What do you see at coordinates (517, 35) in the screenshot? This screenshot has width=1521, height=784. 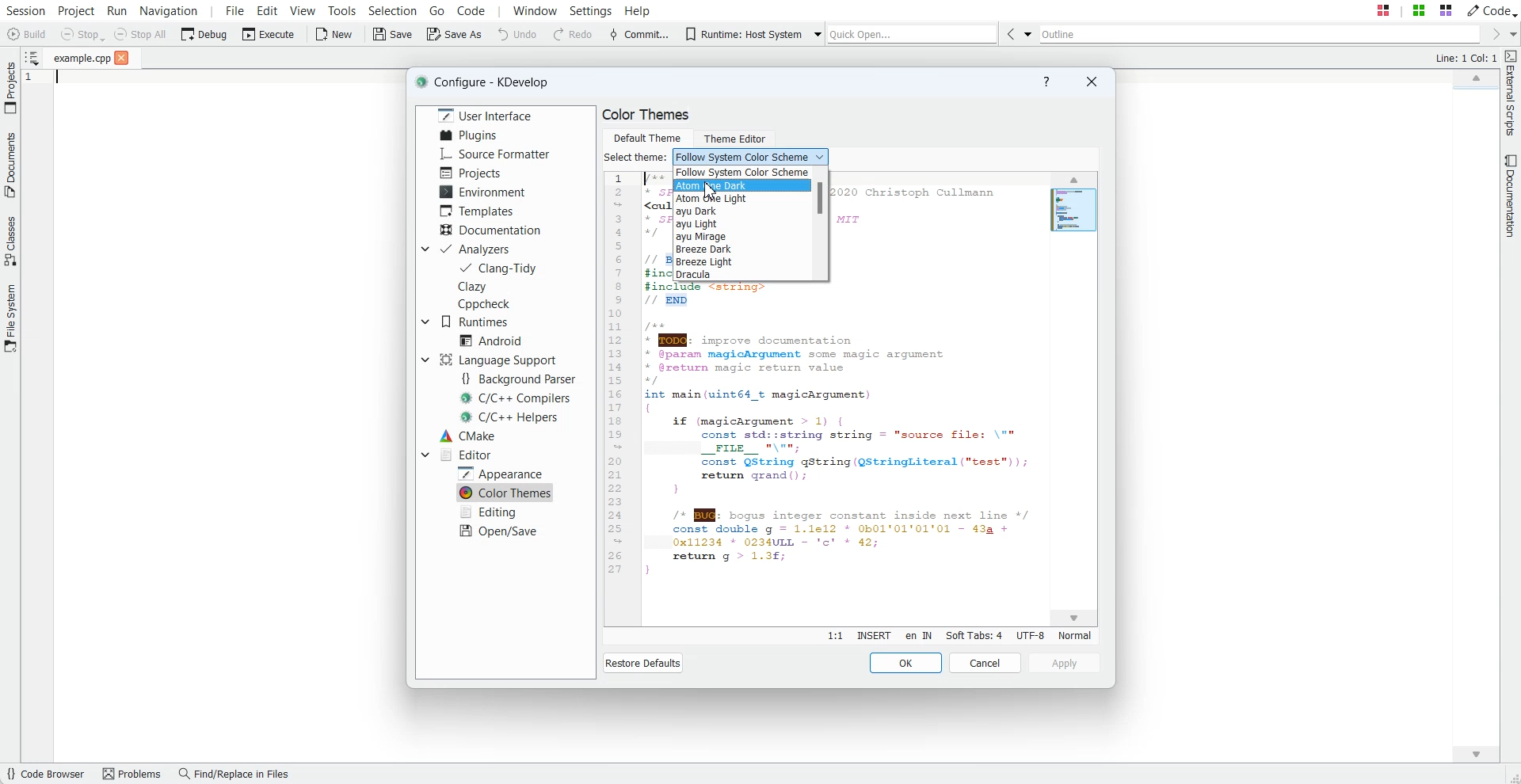 I see `Undo` at bounding box center [517, 35].